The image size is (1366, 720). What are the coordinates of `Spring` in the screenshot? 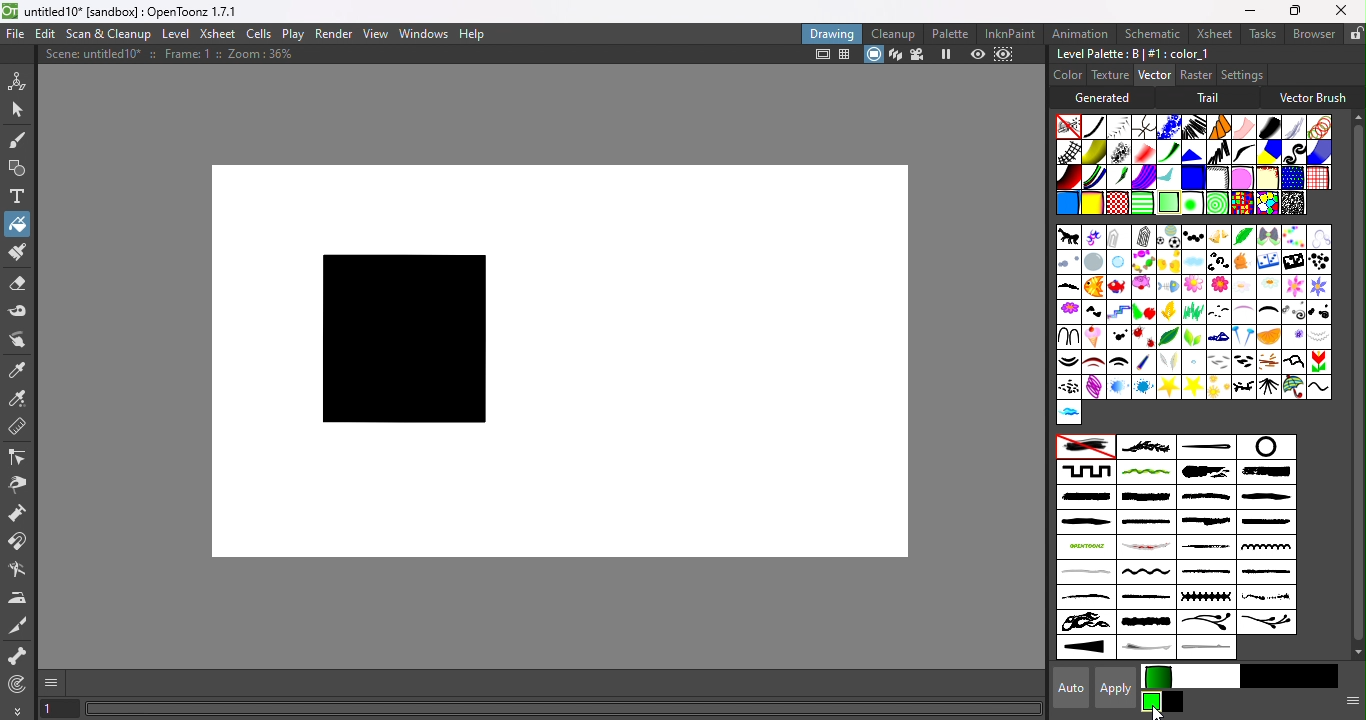 It's located at (1093, 387).